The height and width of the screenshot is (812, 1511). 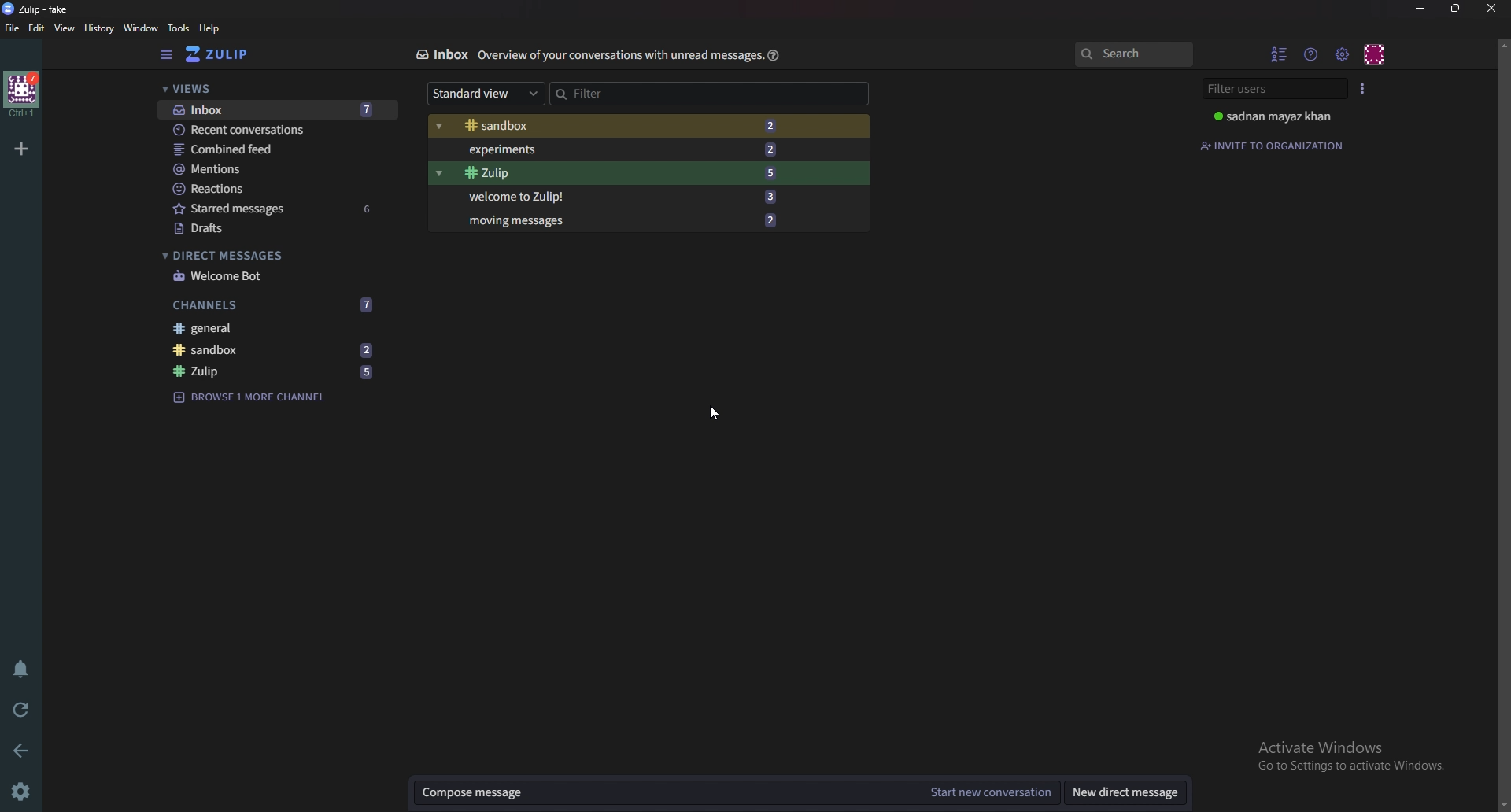 What do you see at coordinates (622, 126) in the screenshot?
I see `Sandbox` at bounding box center [622, 126].